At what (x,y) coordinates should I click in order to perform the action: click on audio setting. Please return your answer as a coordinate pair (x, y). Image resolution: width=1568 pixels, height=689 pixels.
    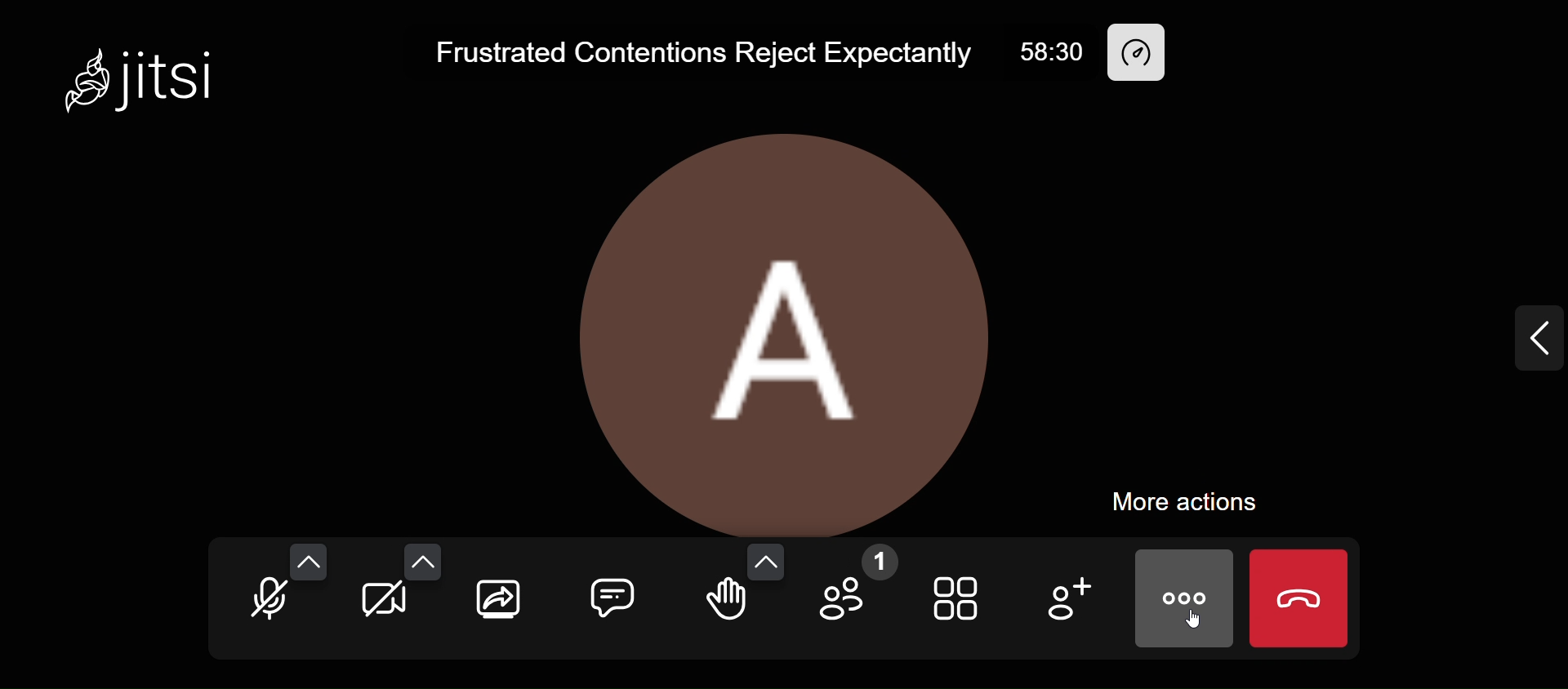
    Looking at the image, I should click on (314, 558).